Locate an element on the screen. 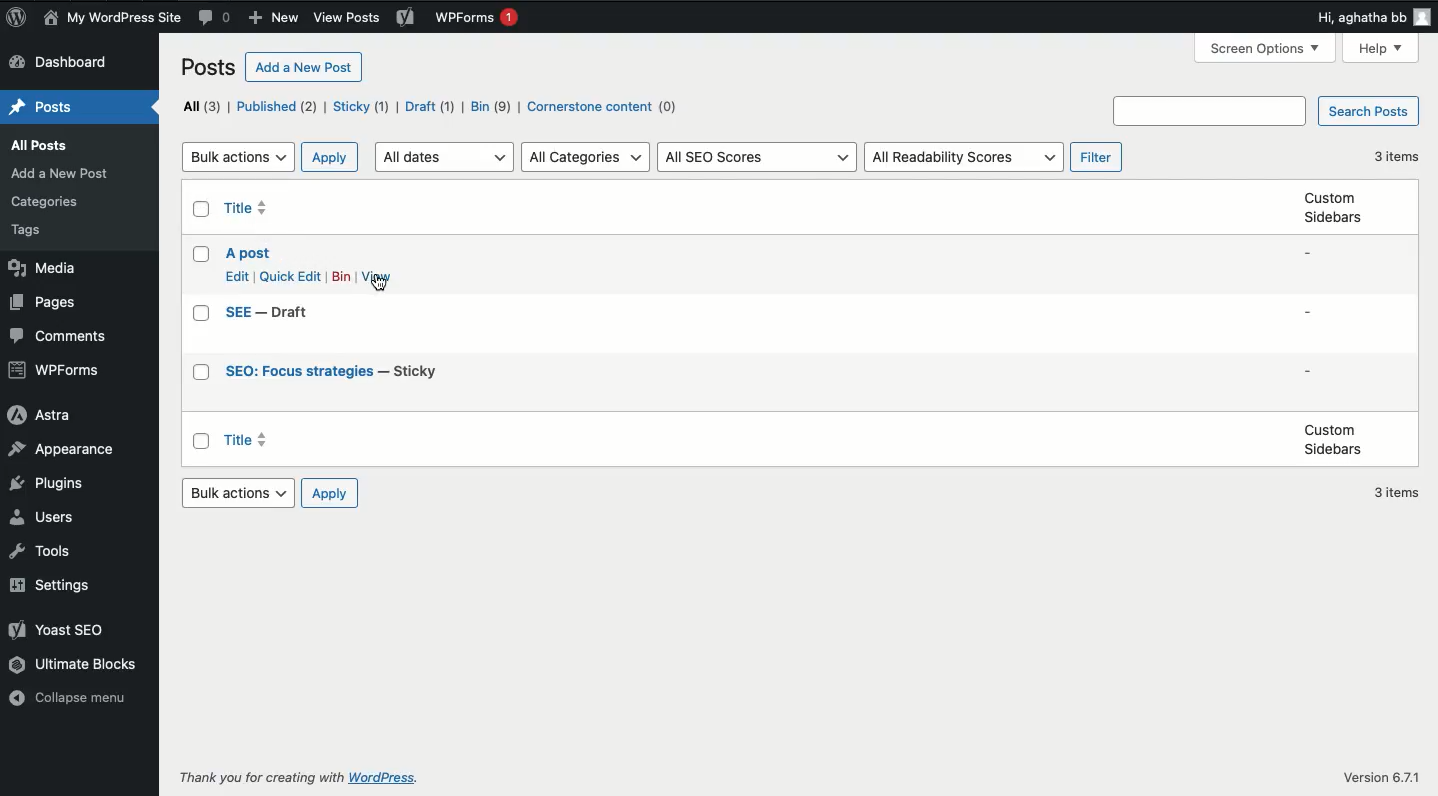 The width and height of the screenshot is (1438, 796). All SEO scores is located at coordinates (758, 157).